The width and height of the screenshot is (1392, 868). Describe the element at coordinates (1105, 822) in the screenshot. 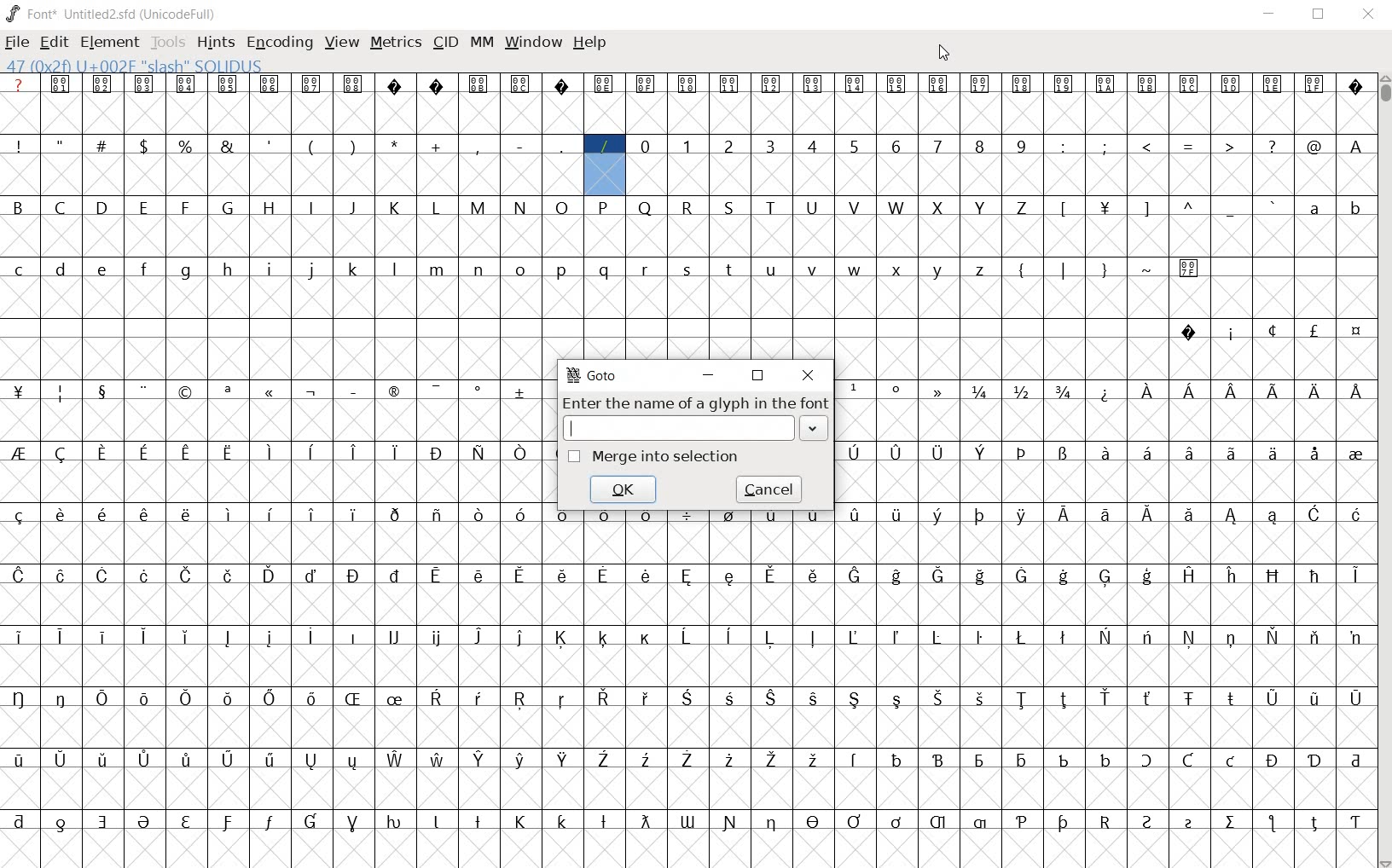

I see `glyph` at that location.